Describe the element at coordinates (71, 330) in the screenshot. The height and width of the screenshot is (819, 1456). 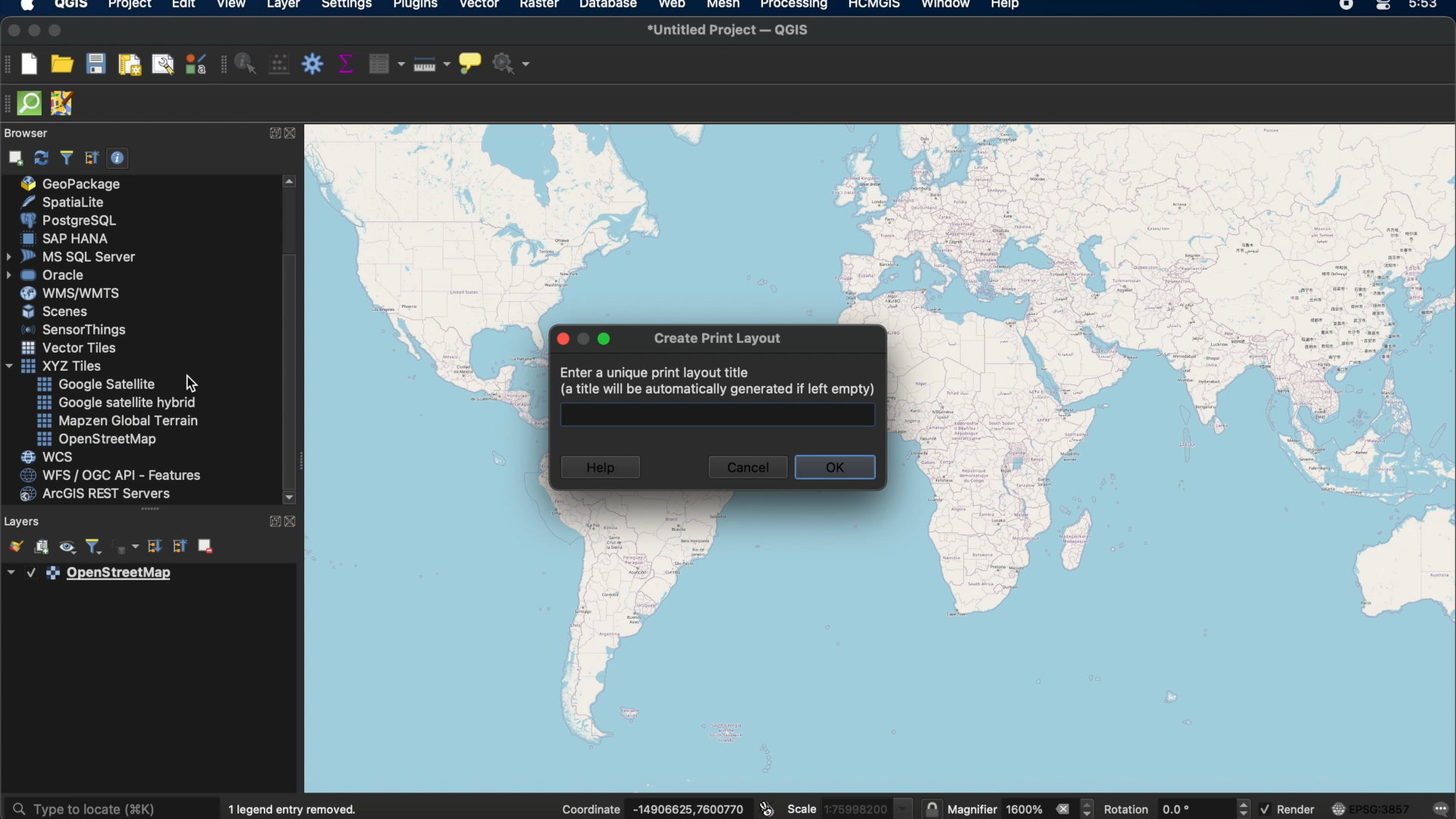
I see `sensor things` at that location.